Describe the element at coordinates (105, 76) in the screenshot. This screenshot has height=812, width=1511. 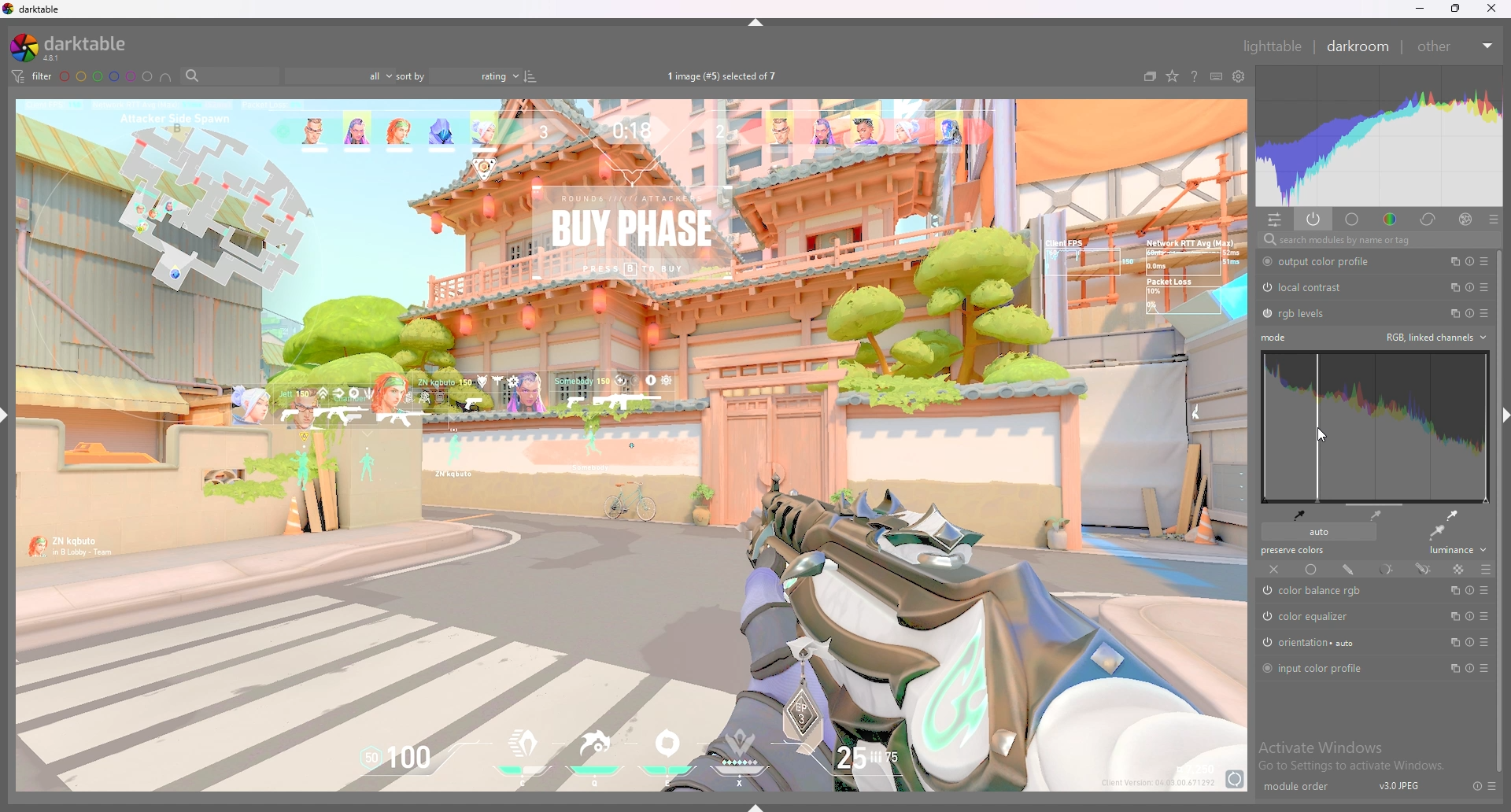
I see `color labels` at that location.